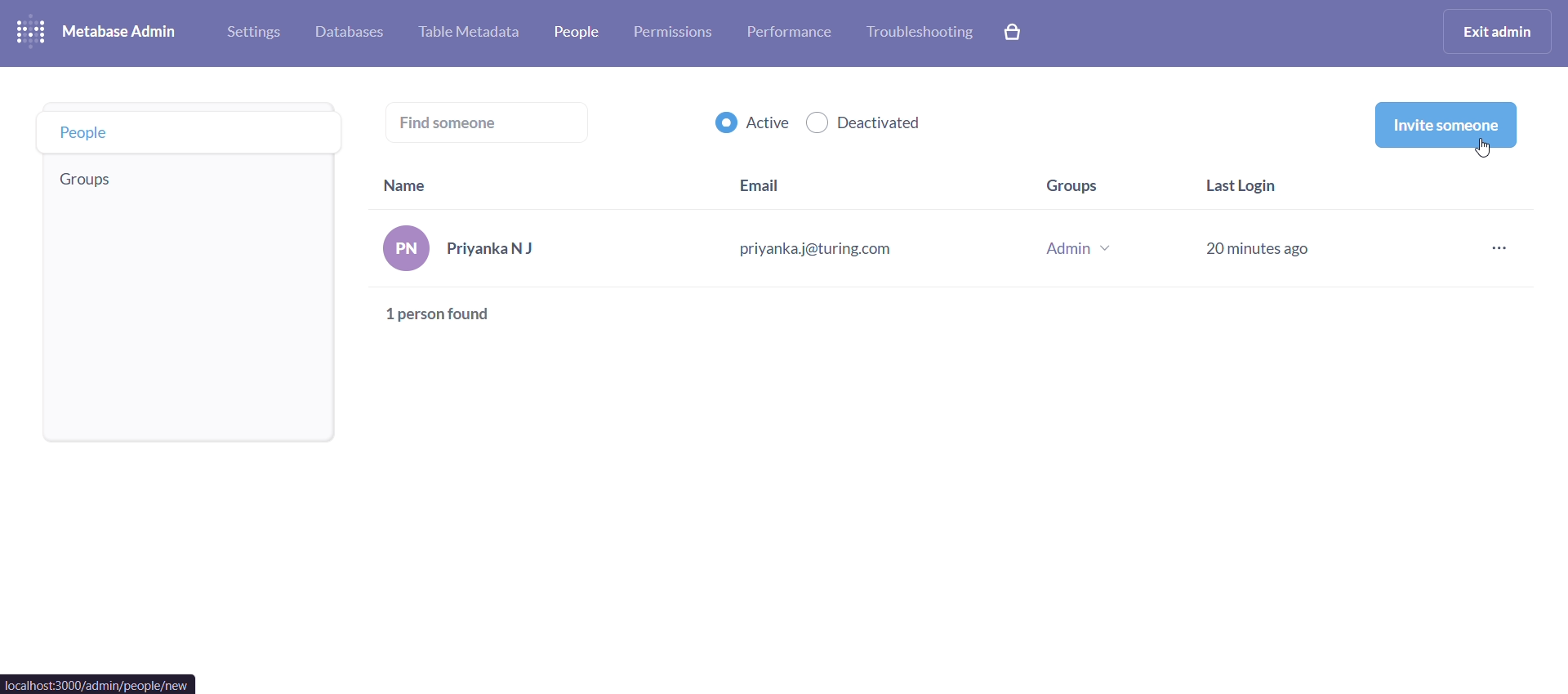  Describe the element at coordinates (1445, 124) in the screenshot. I see `invite someone` at that location.